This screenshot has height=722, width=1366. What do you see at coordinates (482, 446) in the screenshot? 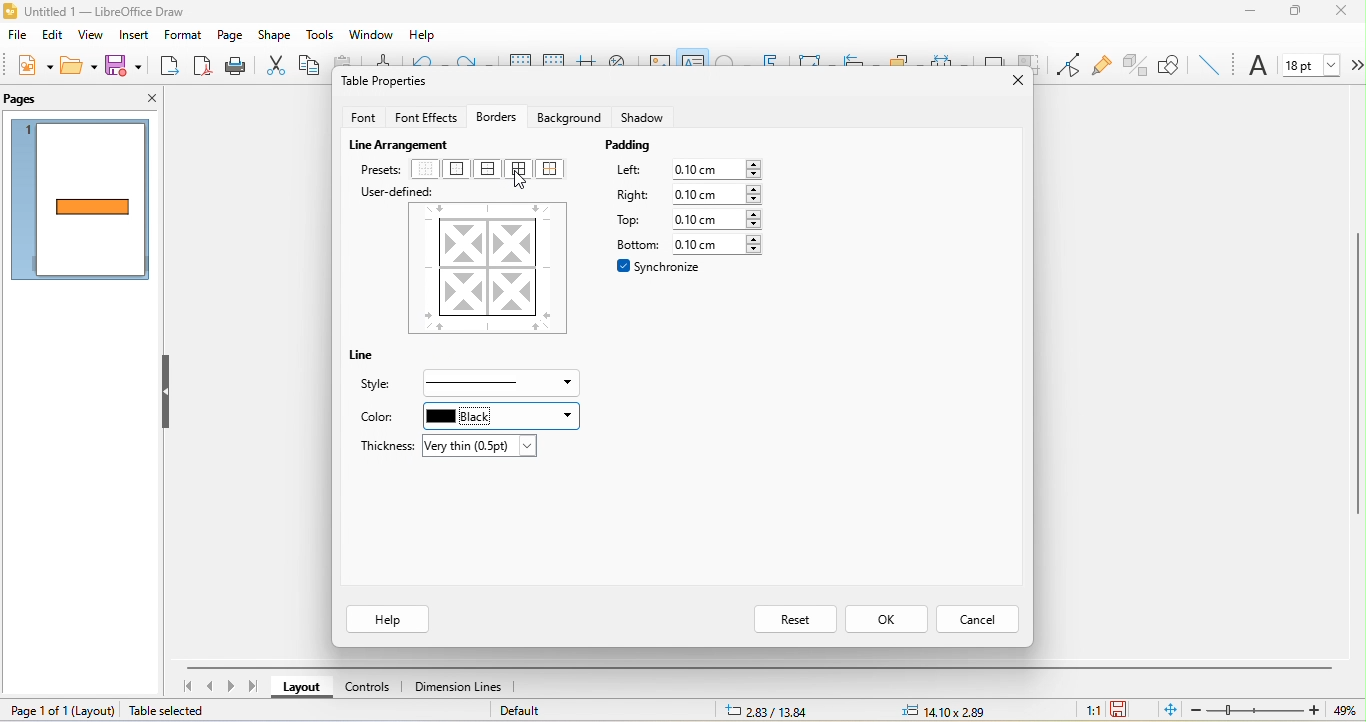
I see `very thin` at bounding box center [482, 446].